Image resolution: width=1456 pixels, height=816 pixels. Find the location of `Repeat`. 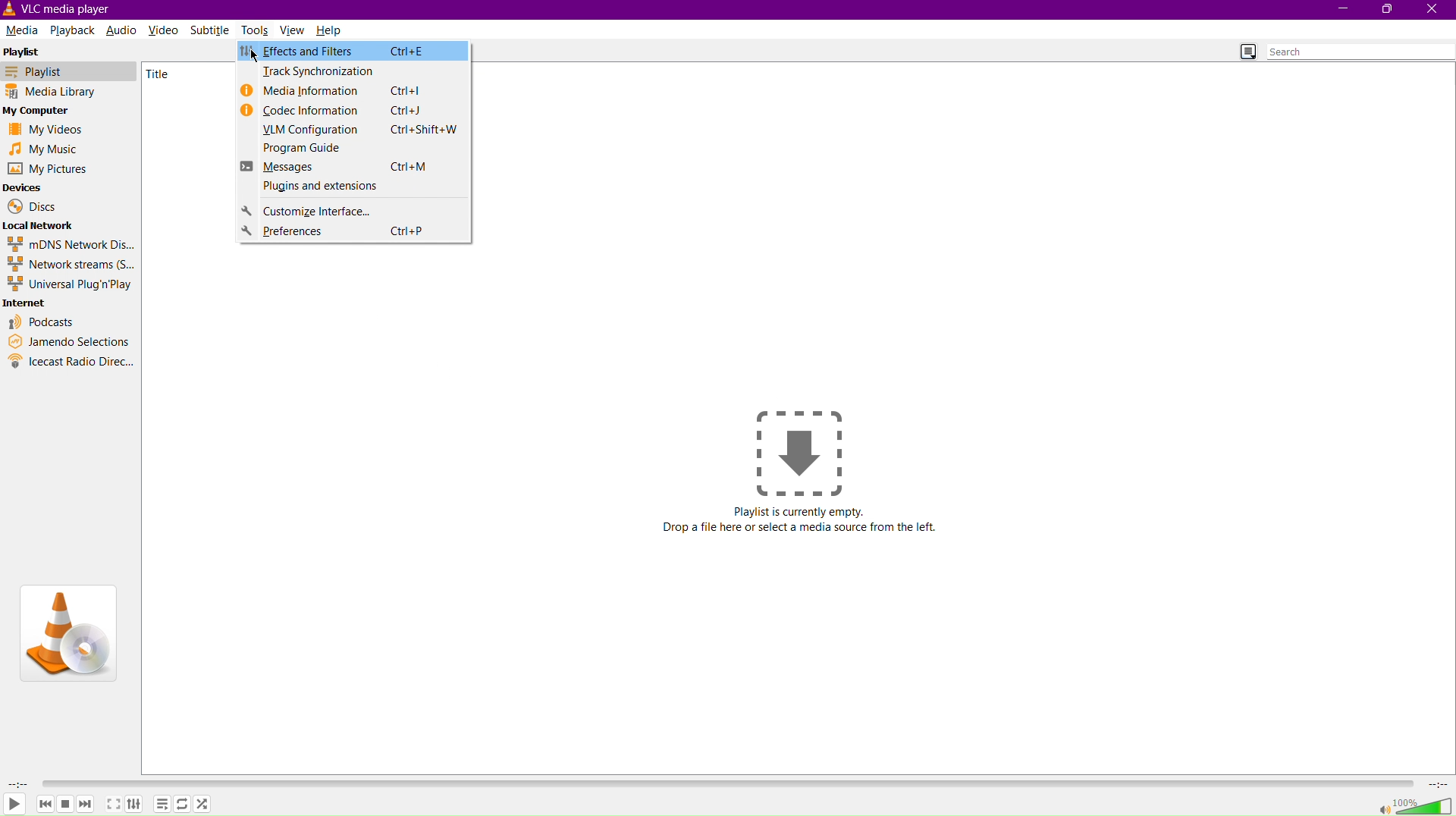

Repeat is located at coordinates (182, 804).